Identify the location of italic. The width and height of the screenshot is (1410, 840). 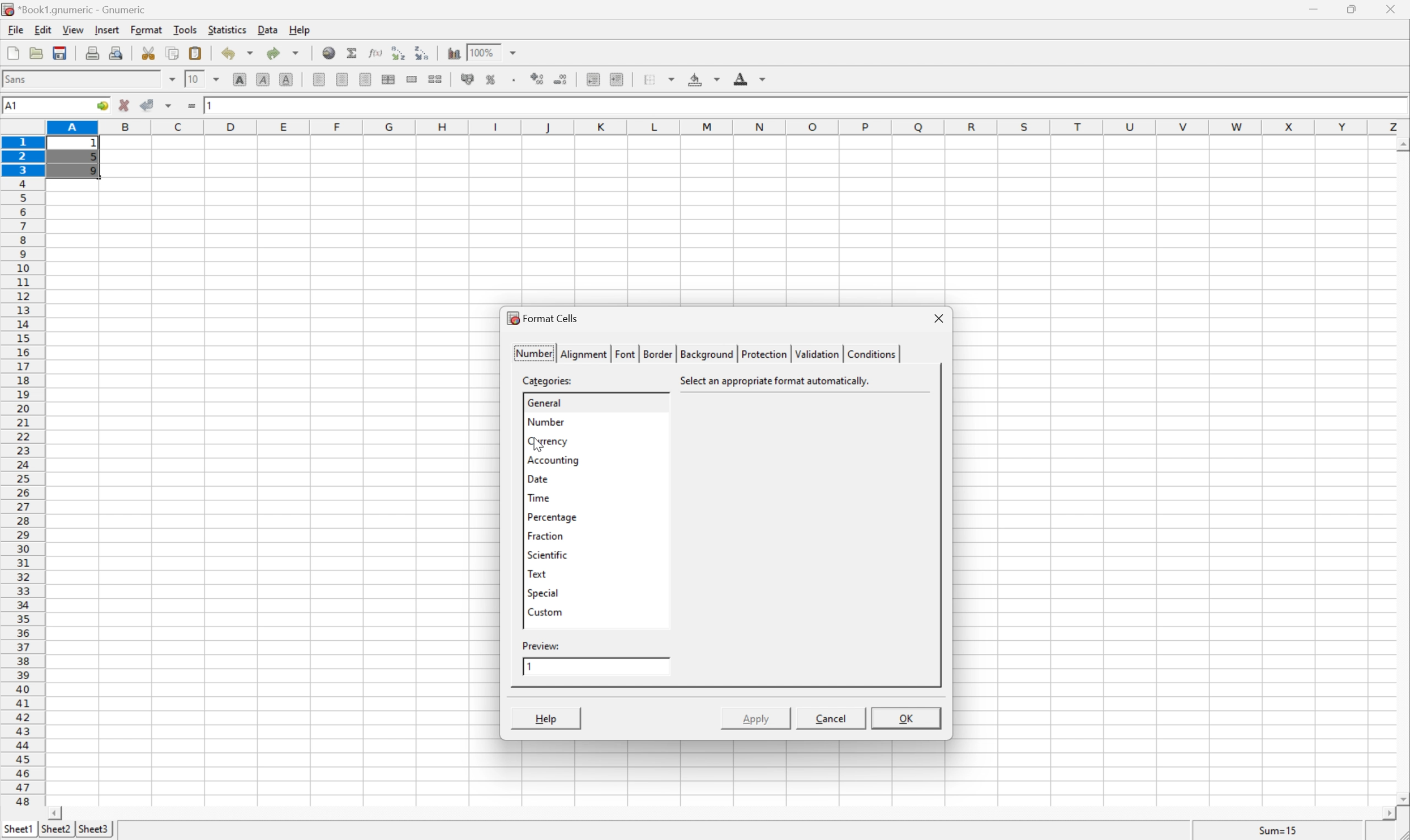
(264, 78).